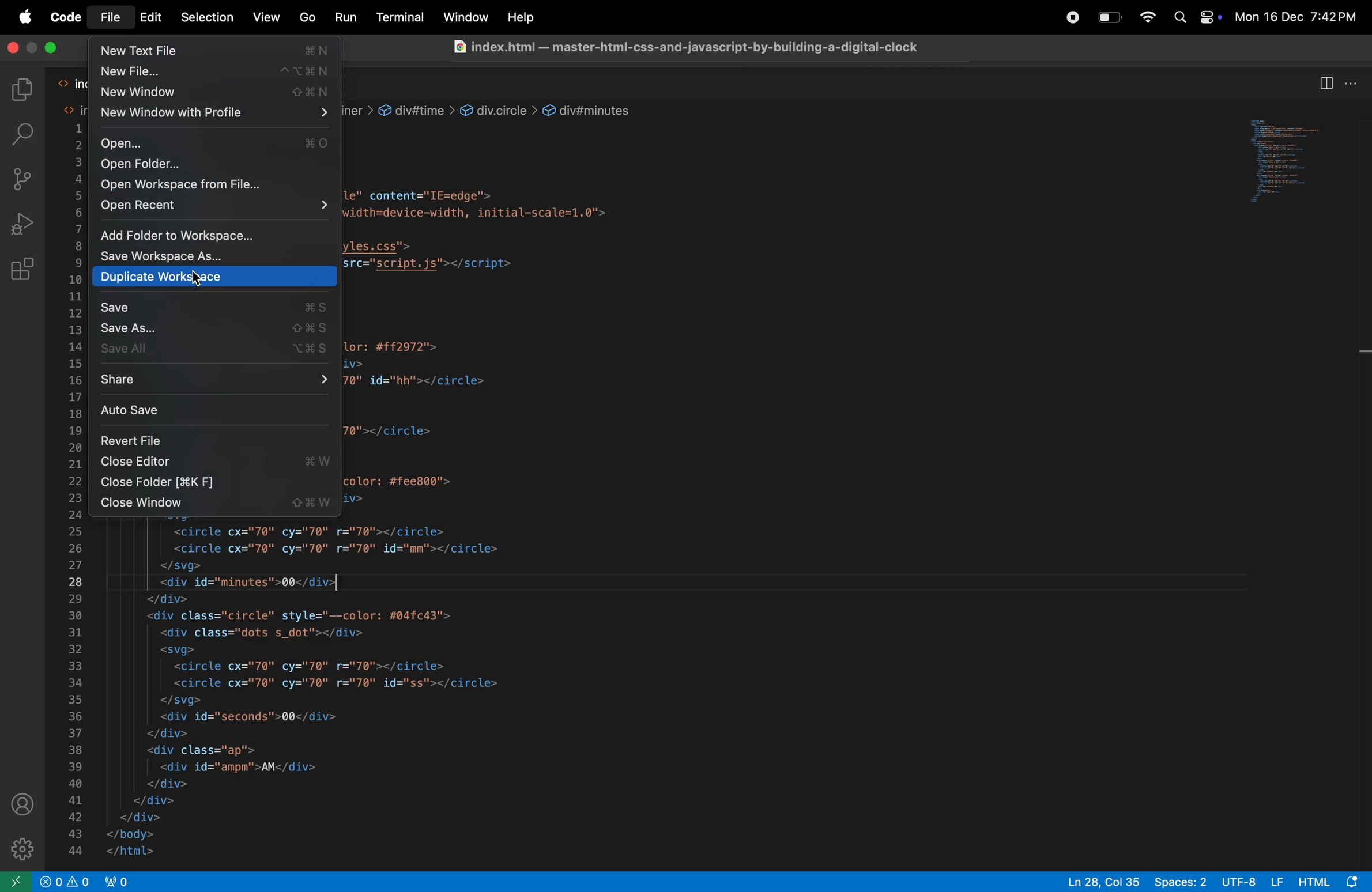 This screenshot has height=892, width=1372. What do you see at coordinates (216, 440) in the screenshot?
I see `revert file` at bounding box center [216, 440].